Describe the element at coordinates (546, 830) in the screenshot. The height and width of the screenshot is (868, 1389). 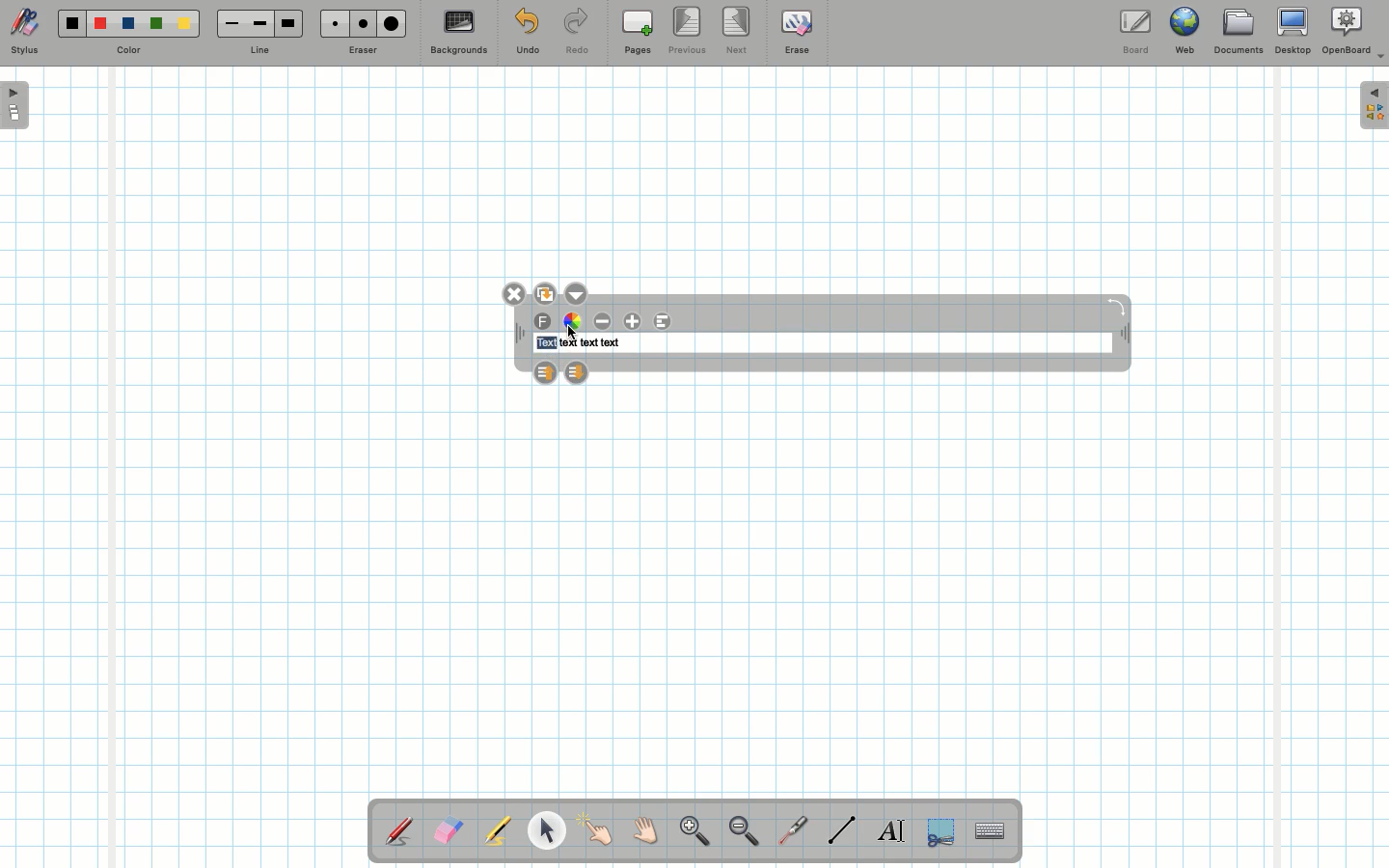
I see `Pointer` at that location.